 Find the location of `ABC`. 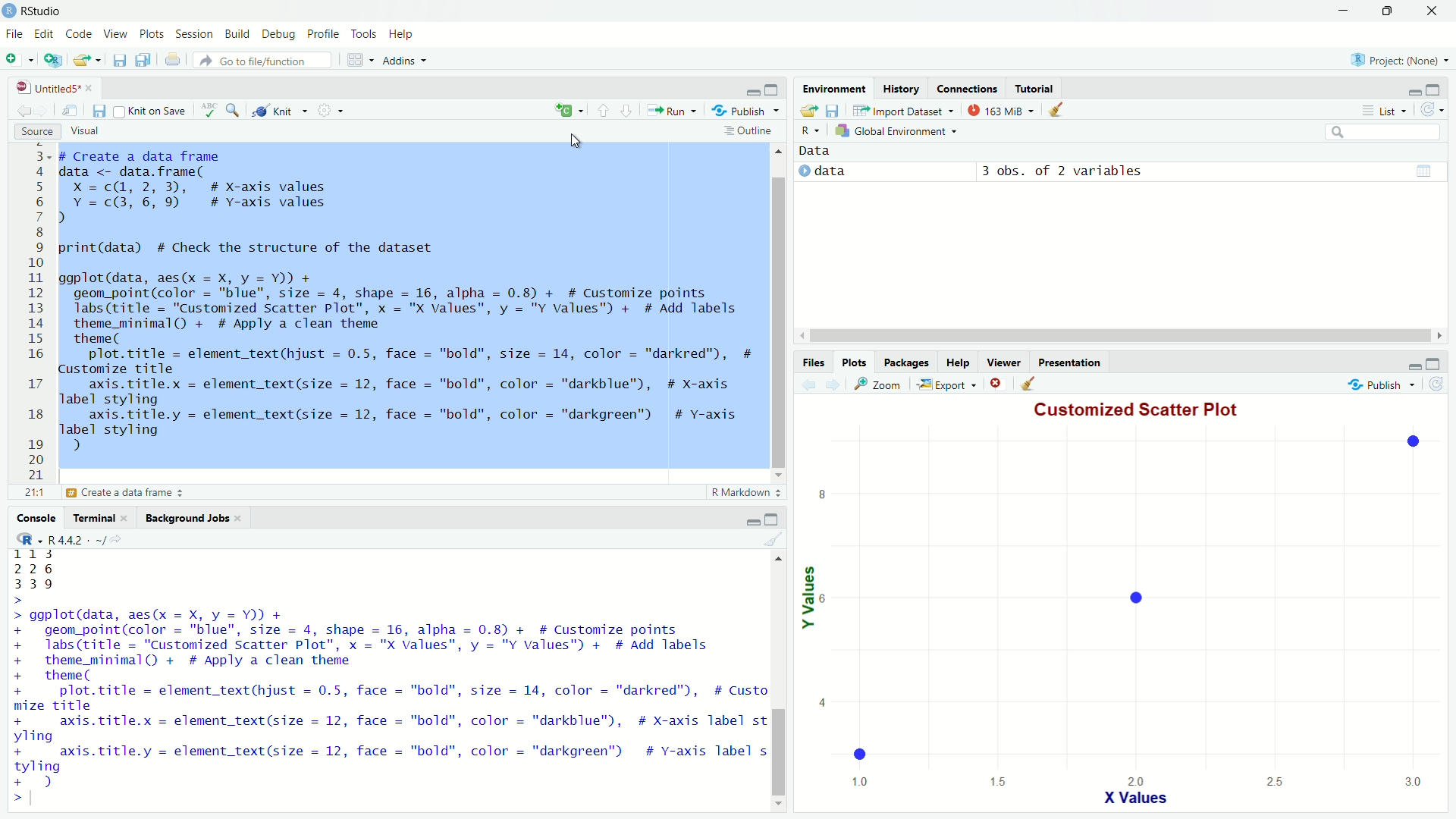

ABC is located at coordinates (208, 111).